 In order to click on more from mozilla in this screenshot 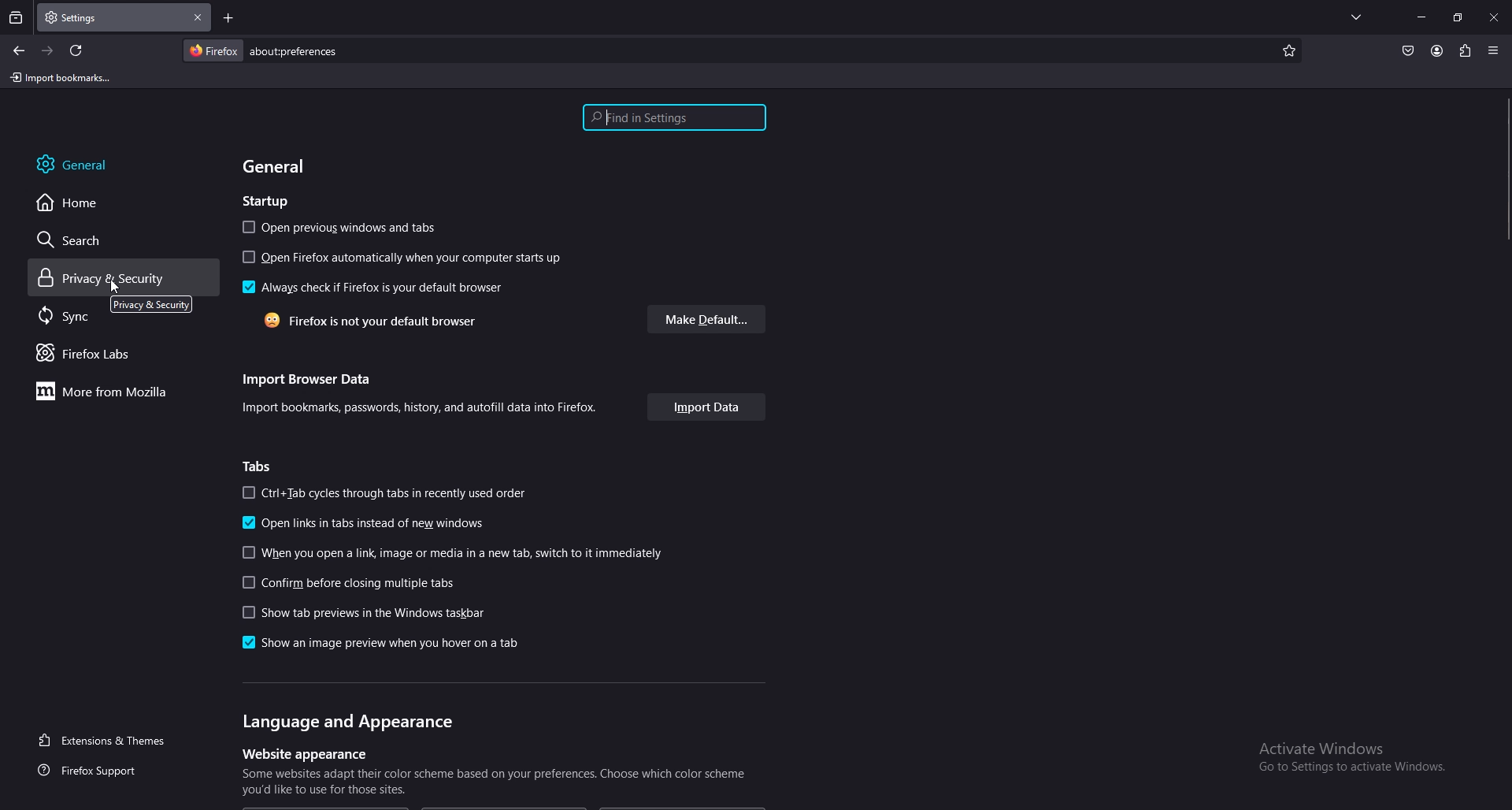, I will do `click(110, 393)`.